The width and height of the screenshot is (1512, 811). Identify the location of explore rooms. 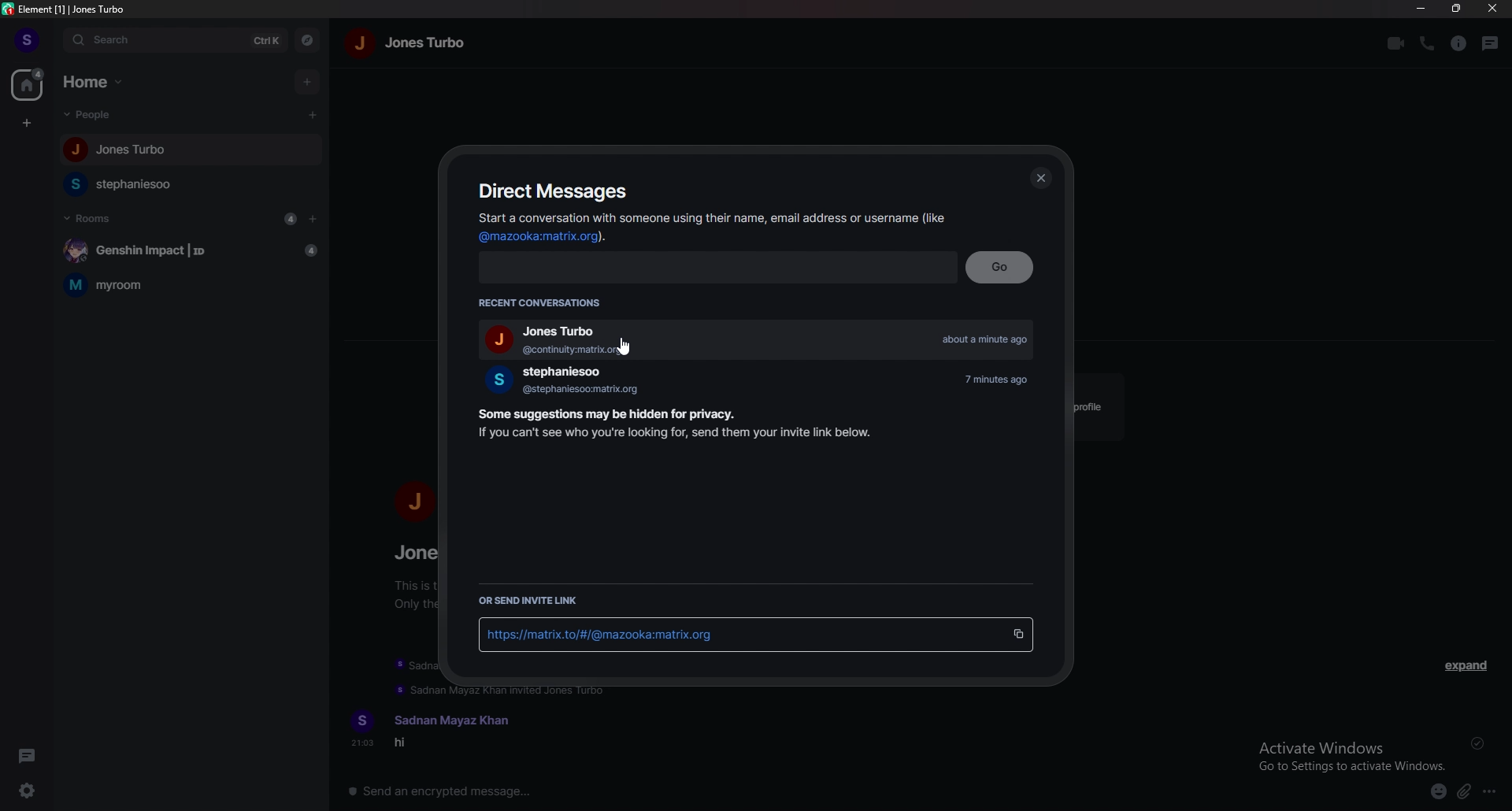
(309, 42).